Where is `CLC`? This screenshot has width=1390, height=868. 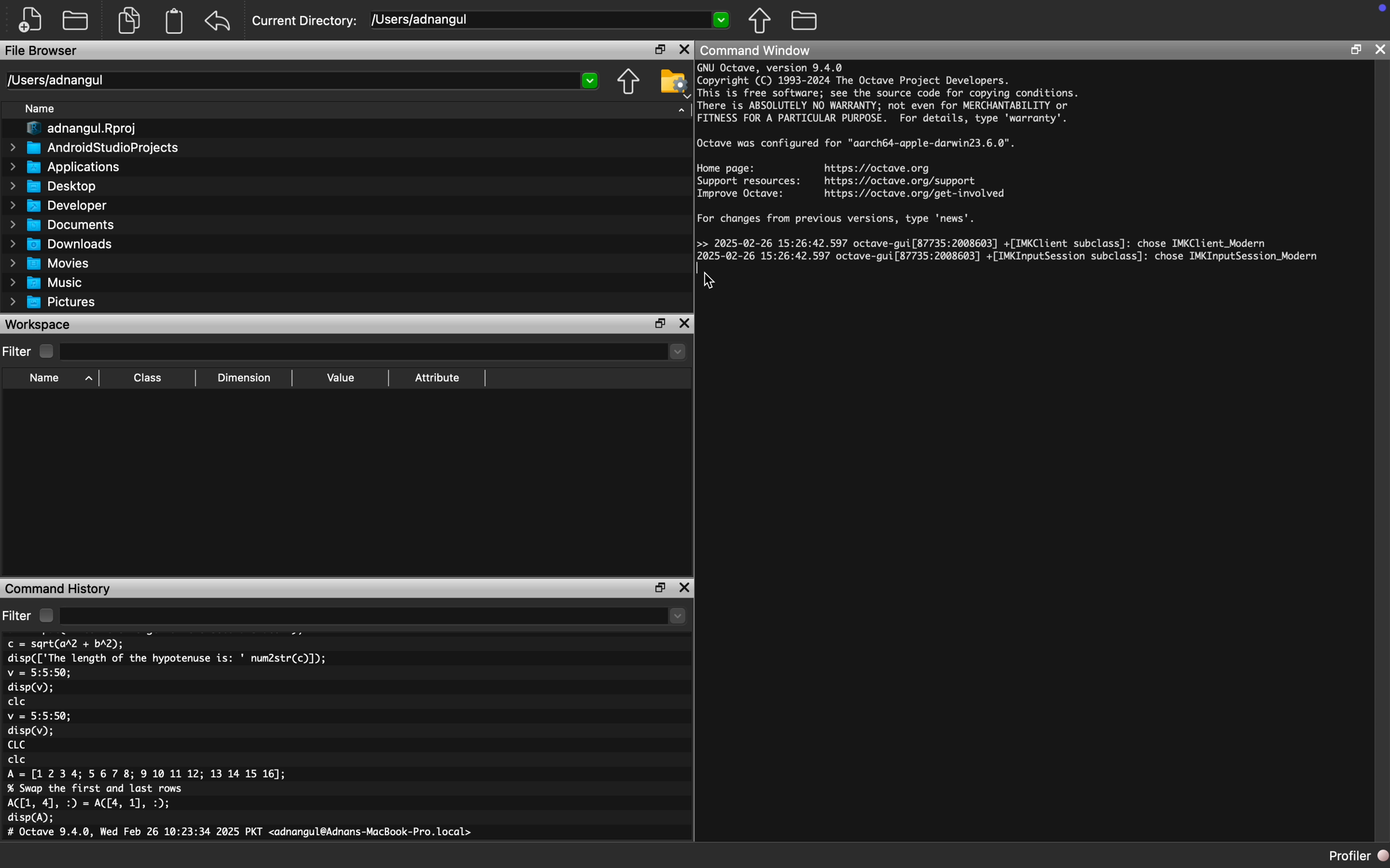
CLC is located at coordinates (16, 745).